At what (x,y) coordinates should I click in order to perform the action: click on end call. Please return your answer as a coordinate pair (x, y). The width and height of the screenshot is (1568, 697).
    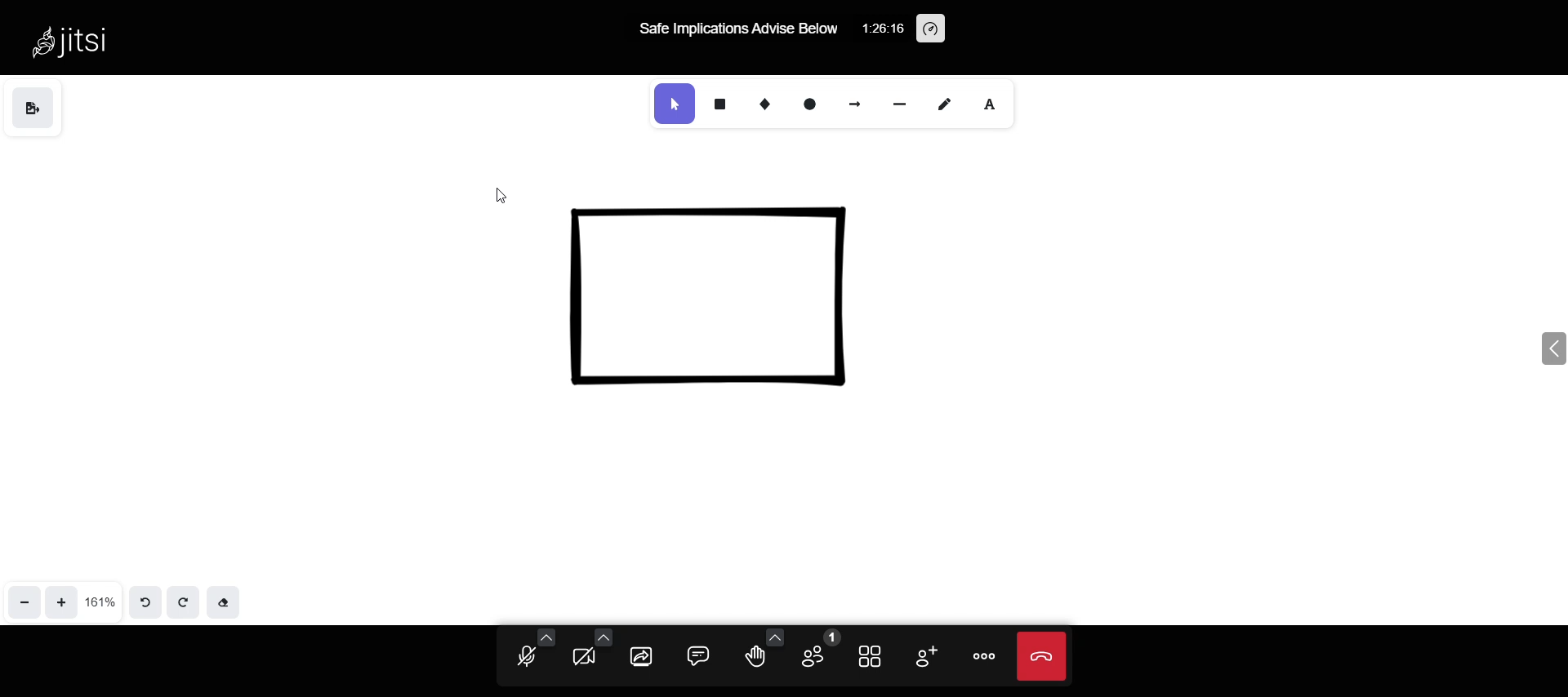
    Looking at the image, I should click on (1044, 655).